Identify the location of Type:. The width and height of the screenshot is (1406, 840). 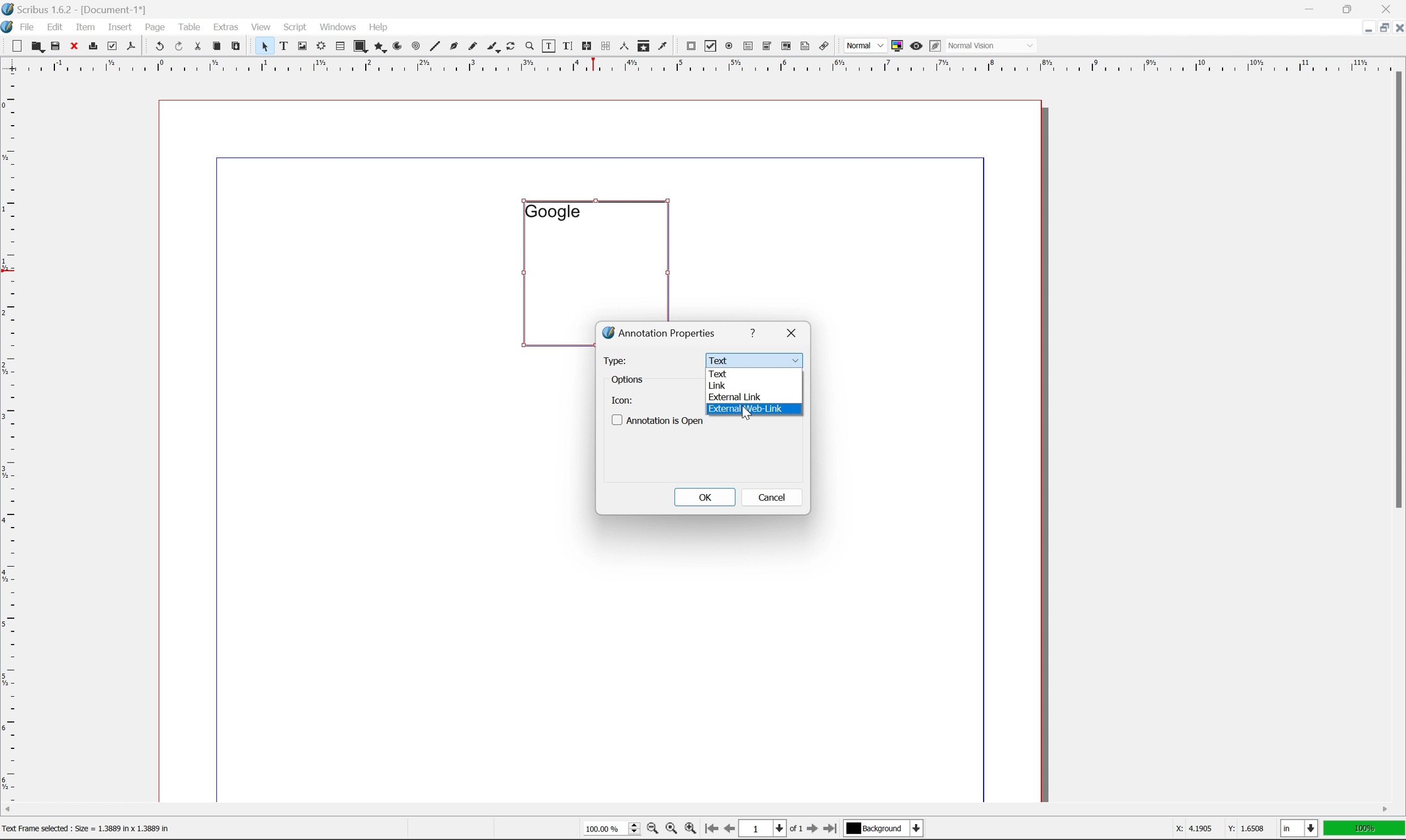
(616, 359).